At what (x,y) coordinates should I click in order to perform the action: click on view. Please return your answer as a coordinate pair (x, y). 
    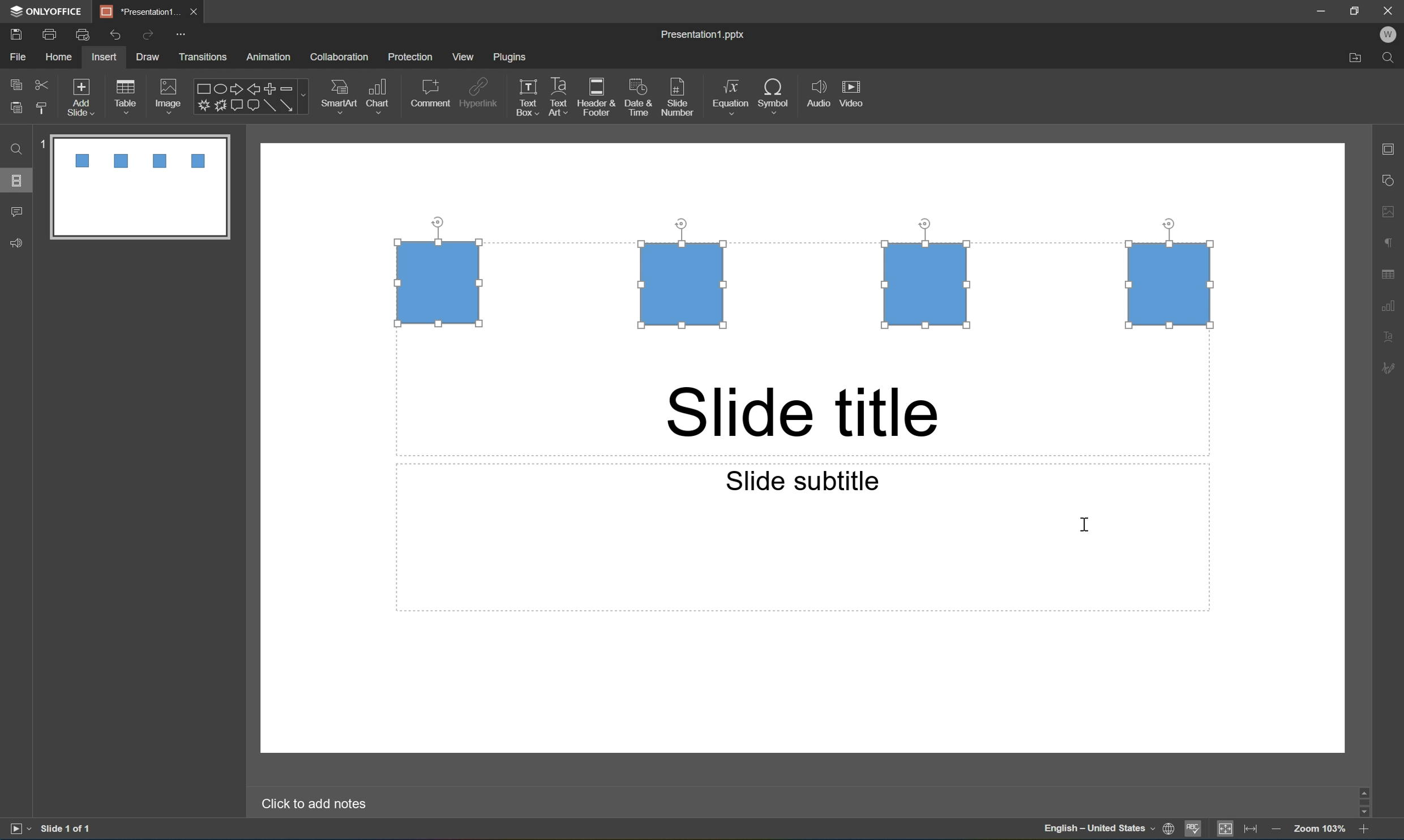
    Looking at the image, I should click on (461, 57).